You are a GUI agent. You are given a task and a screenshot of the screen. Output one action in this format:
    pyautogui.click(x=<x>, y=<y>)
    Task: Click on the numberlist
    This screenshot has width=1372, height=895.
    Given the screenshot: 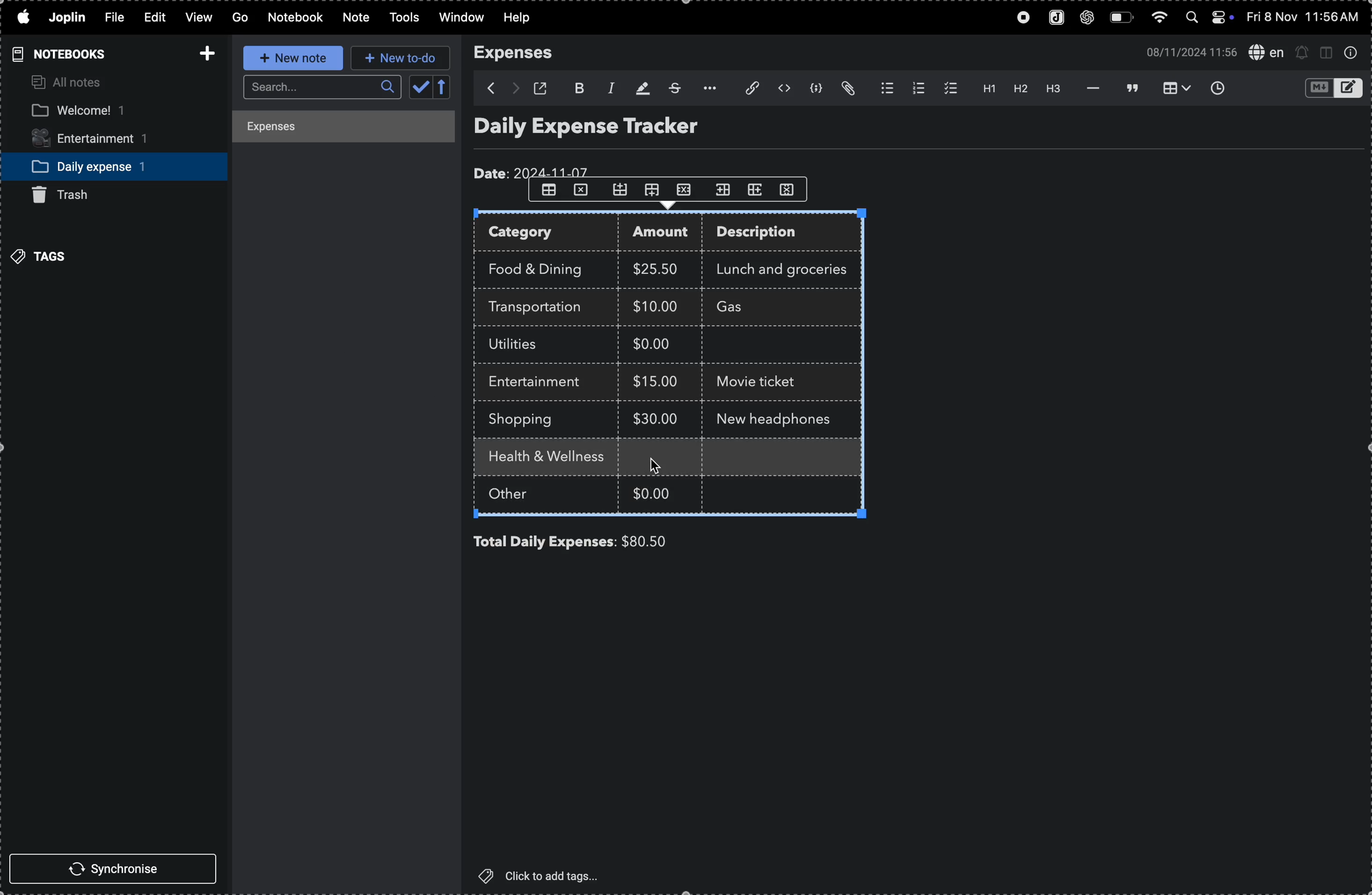 What is the action you would take?
    pyautogui.click(x=916, y=88)
    